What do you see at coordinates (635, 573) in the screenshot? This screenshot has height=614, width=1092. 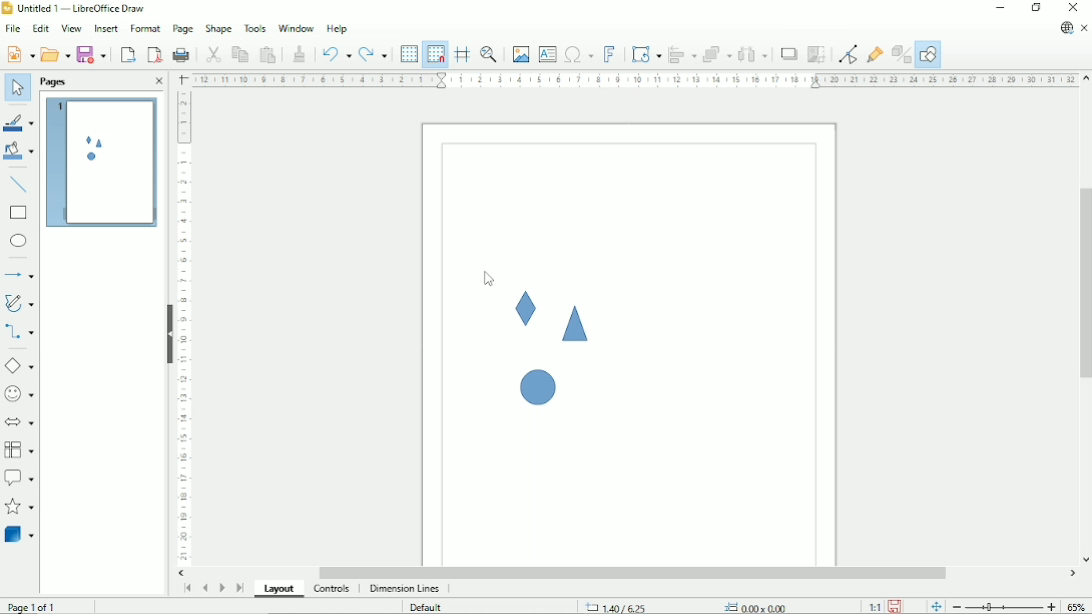 I see `Horizontal scrollbar` at bounding box center [635, 573].